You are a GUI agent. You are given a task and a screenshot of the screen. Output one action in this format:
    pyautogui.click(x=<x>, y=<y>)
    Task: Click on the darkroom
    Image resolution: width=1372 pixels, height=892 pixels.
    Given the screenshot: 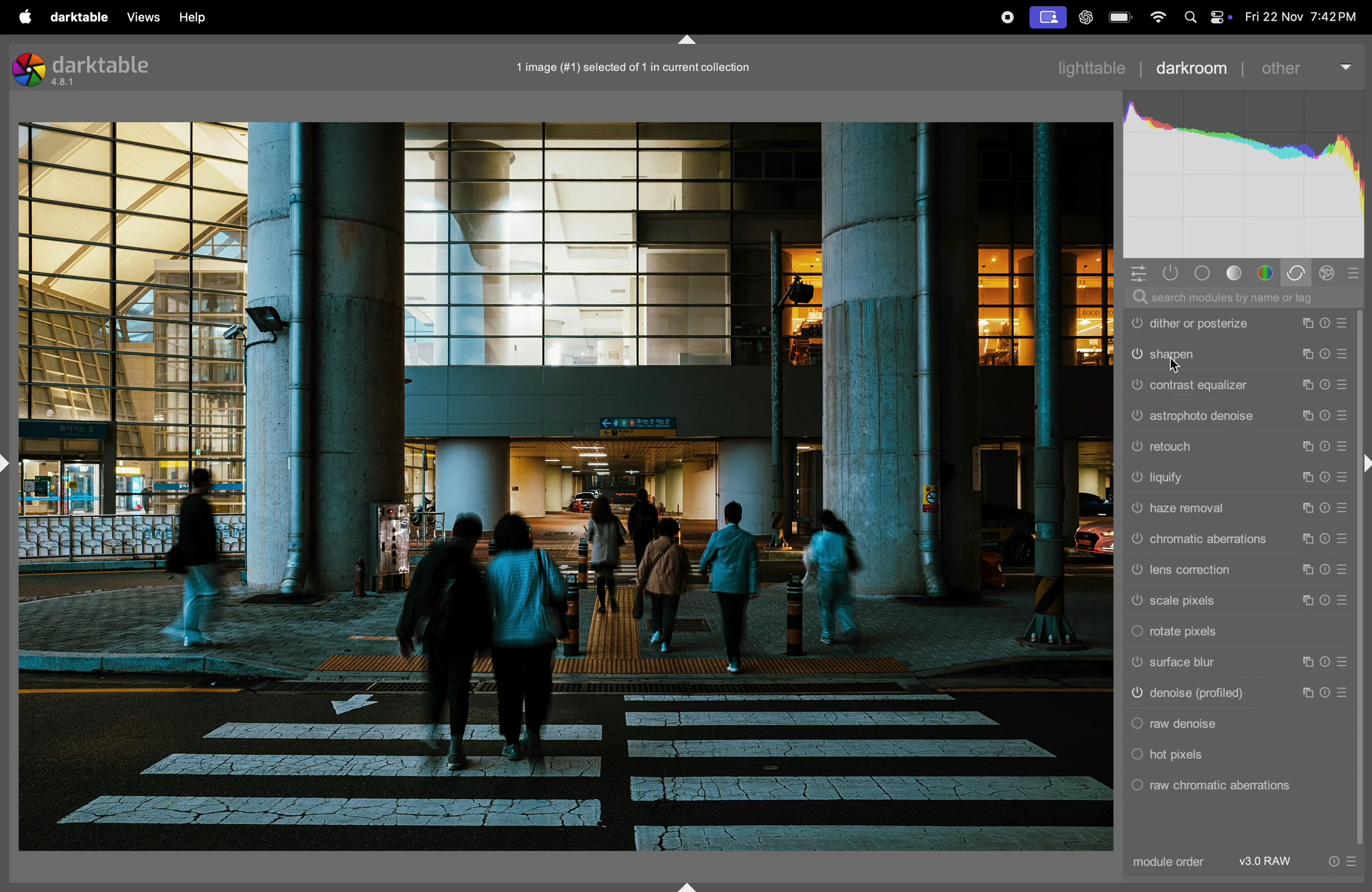 What is the action you would take?
    pyautogui.click(x=1193, y=69)
    